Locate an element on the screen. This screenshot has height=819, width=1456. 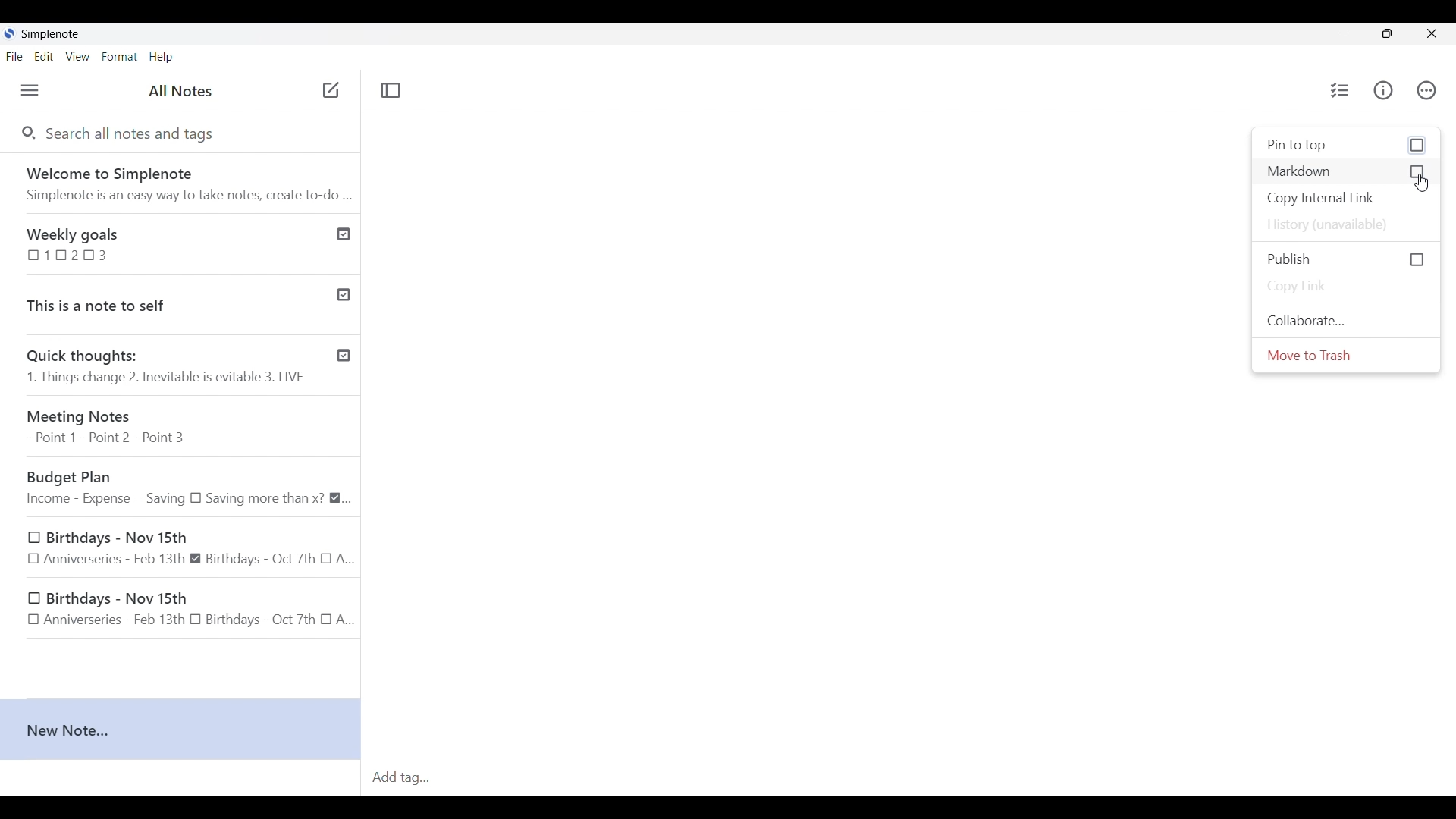
Move to trash is located at coordinates (1345, 355).